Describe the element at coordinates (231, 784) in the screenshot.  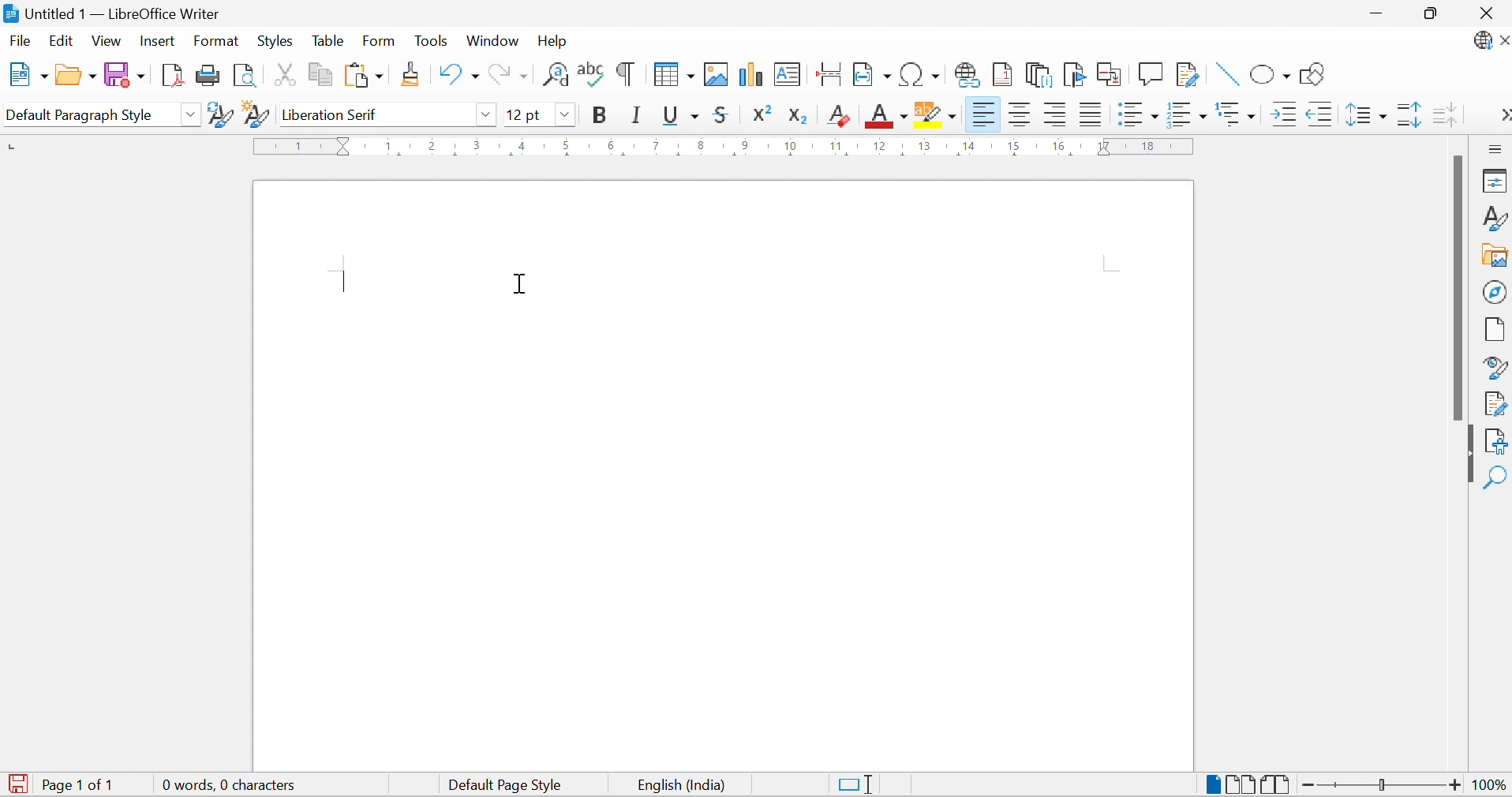
I see `0 words, 0 characters` at that location.